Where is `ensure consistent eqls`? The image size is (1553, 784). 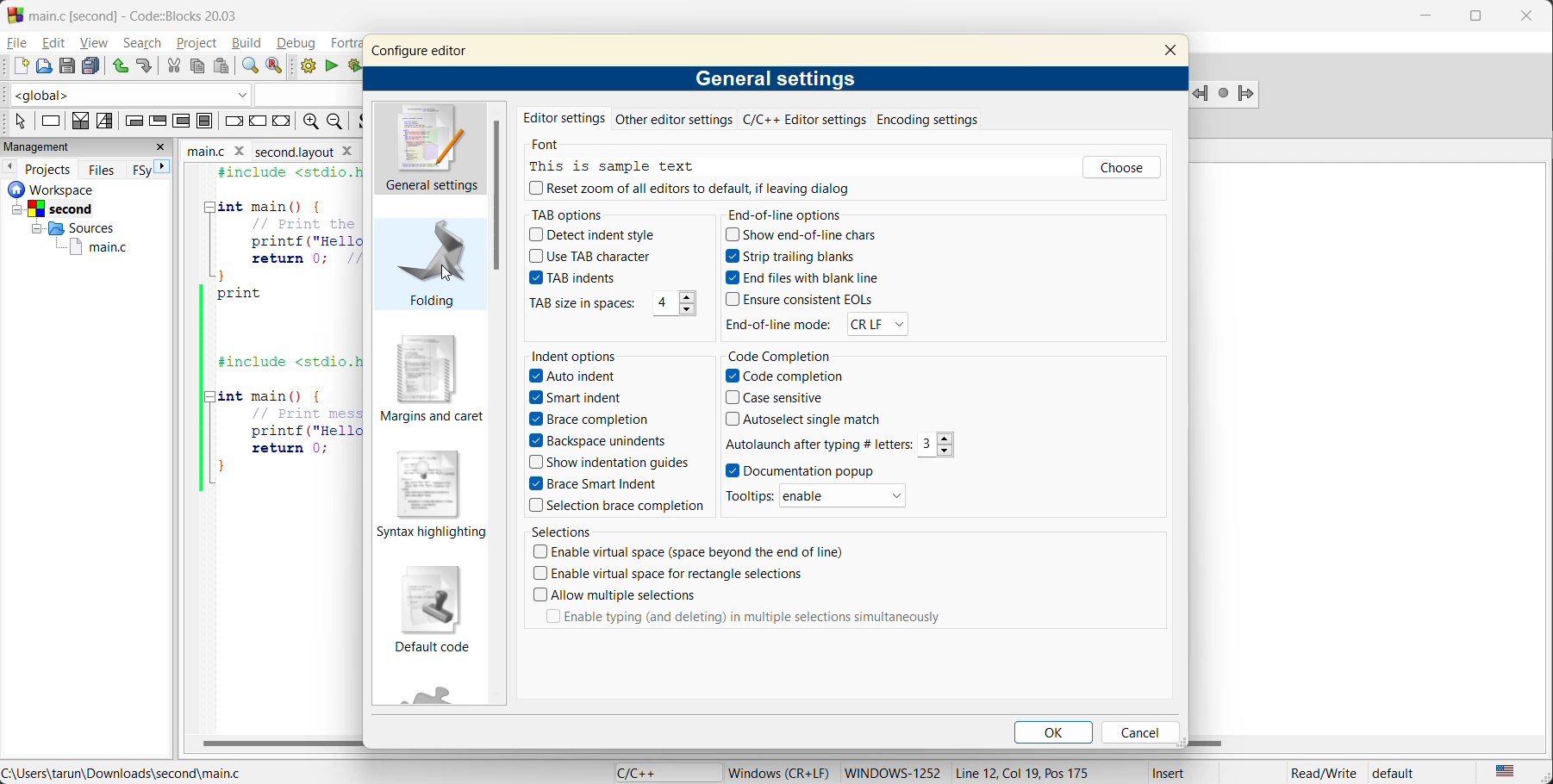 ensure consistent eqls is located at coordinates (798, 300).